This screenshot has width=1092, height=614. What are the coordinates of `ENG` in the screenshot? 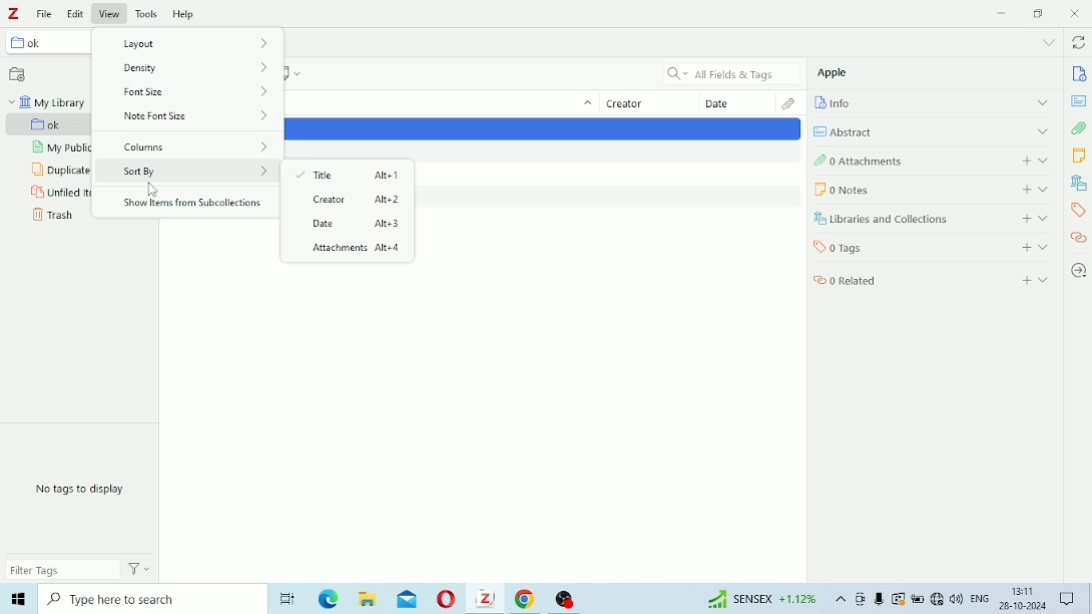 It's located at (979, 600).